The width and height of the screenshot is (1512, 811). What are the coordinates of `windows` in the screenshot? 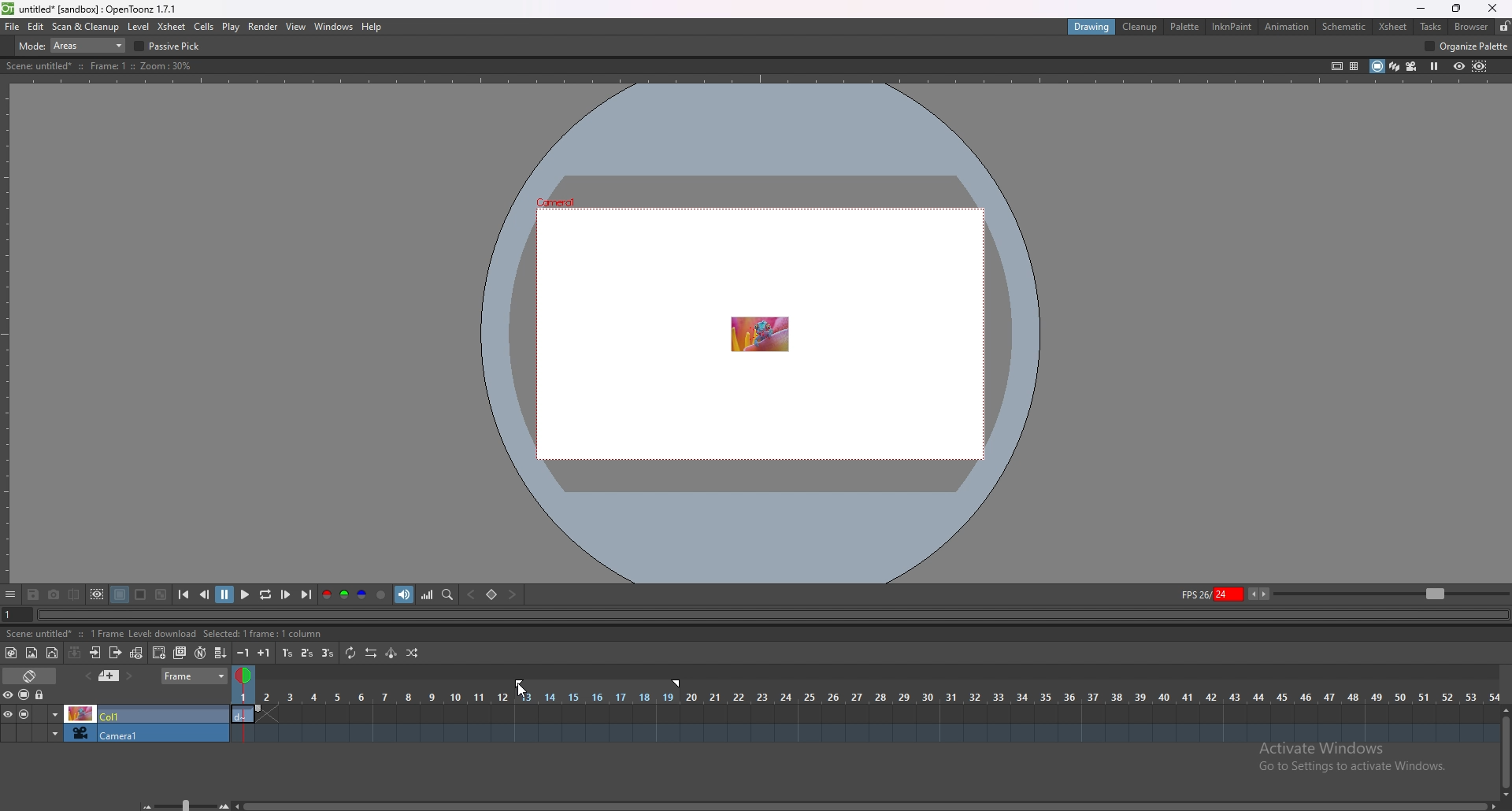 It's located at (334, 27).